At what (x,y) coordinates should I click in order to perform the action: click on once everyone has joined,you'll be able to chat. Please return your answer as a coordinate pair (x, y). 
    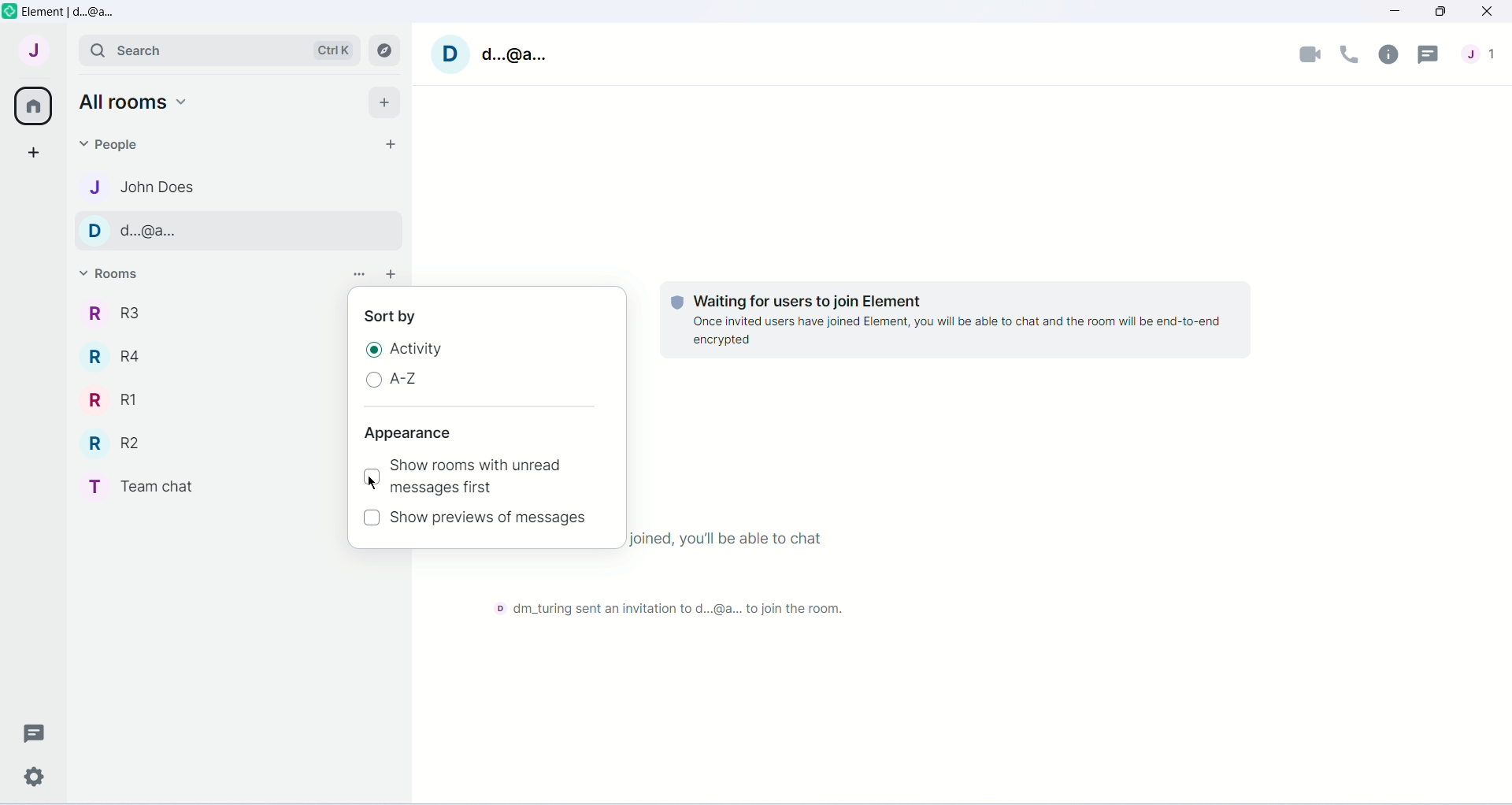
    Looking at the image, I should click on (732, 541).